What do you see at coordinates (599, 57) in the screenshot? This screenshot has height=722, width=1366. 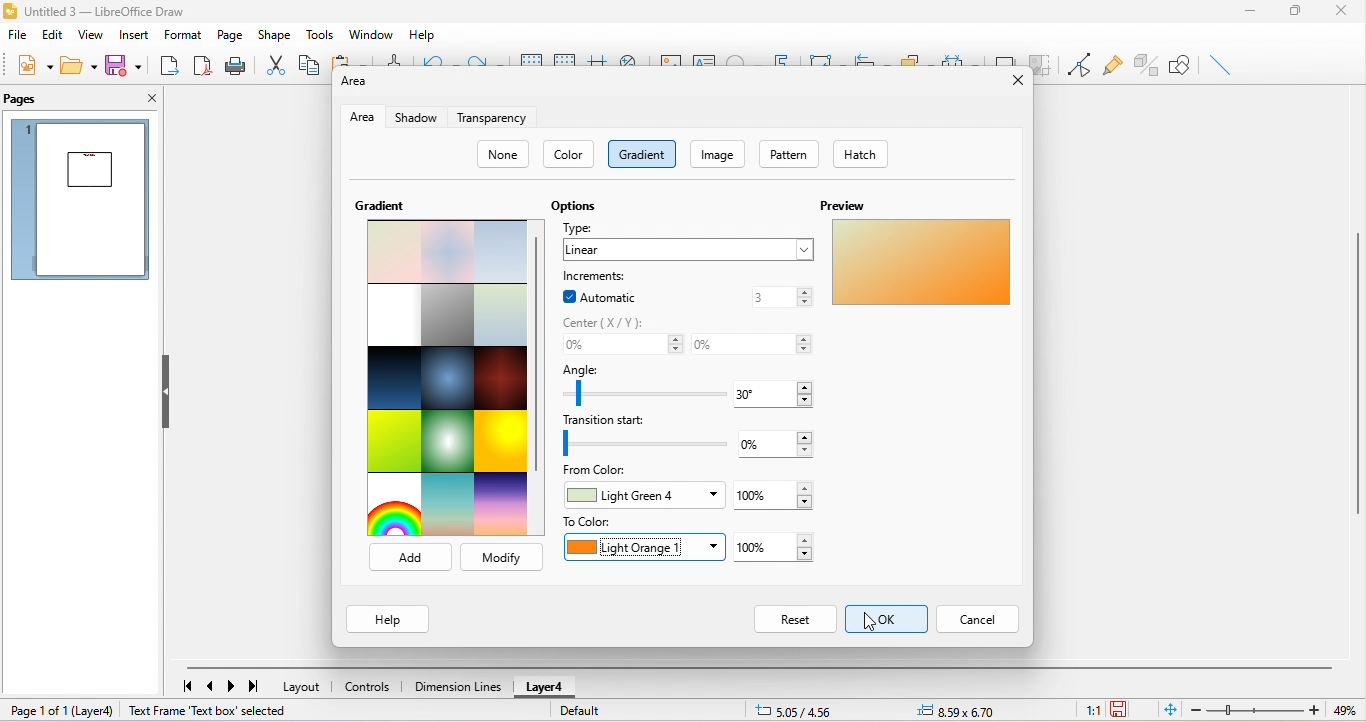 I see `helpline while moving` at bounding box center [599, 57].